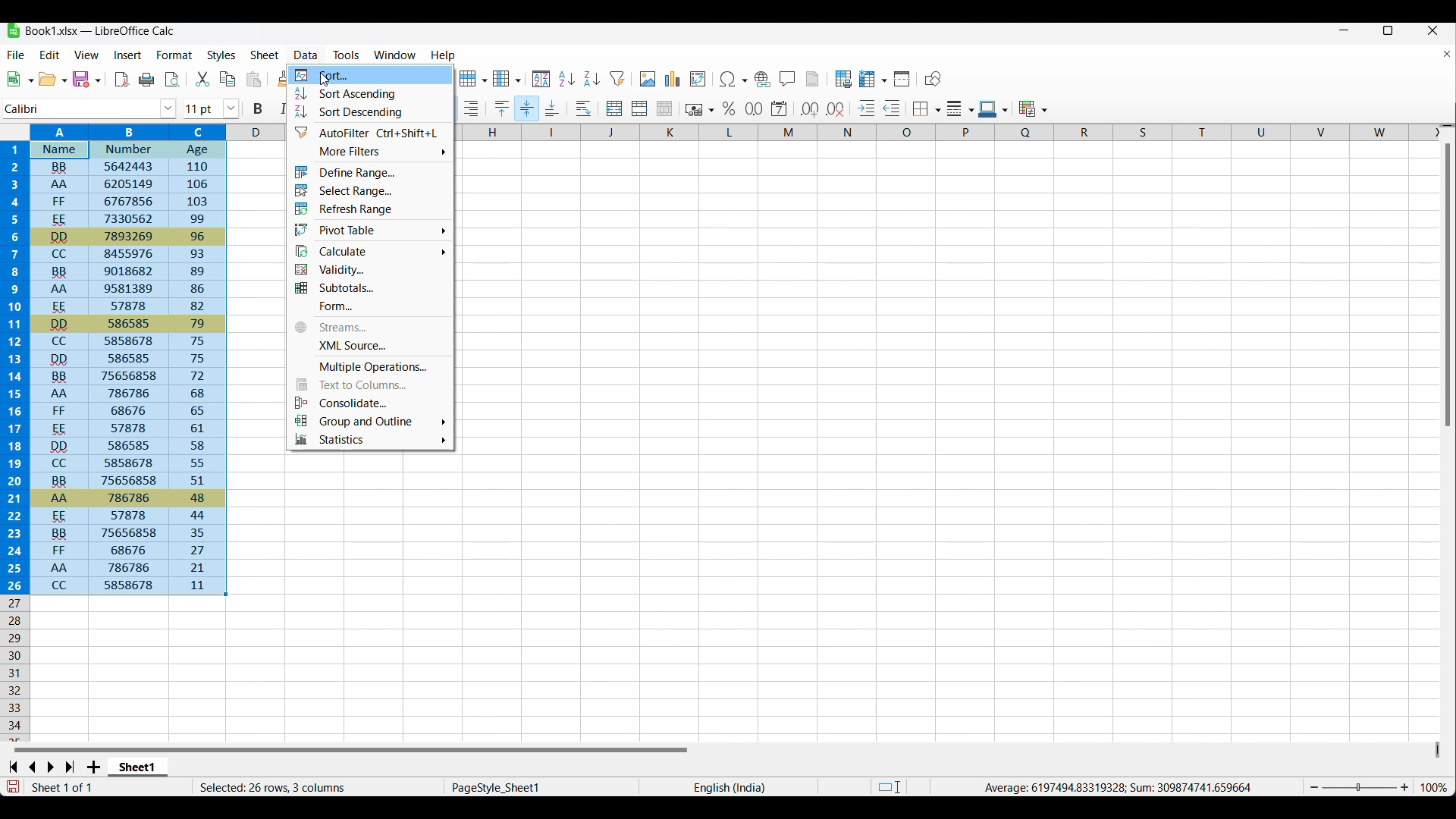 Image resolution: width=1456 pixels, height=819 pixels. What do you see at coordinates (890, 787) in the screenshot?
I see `Standard selection` at bounding box center [890, 787].